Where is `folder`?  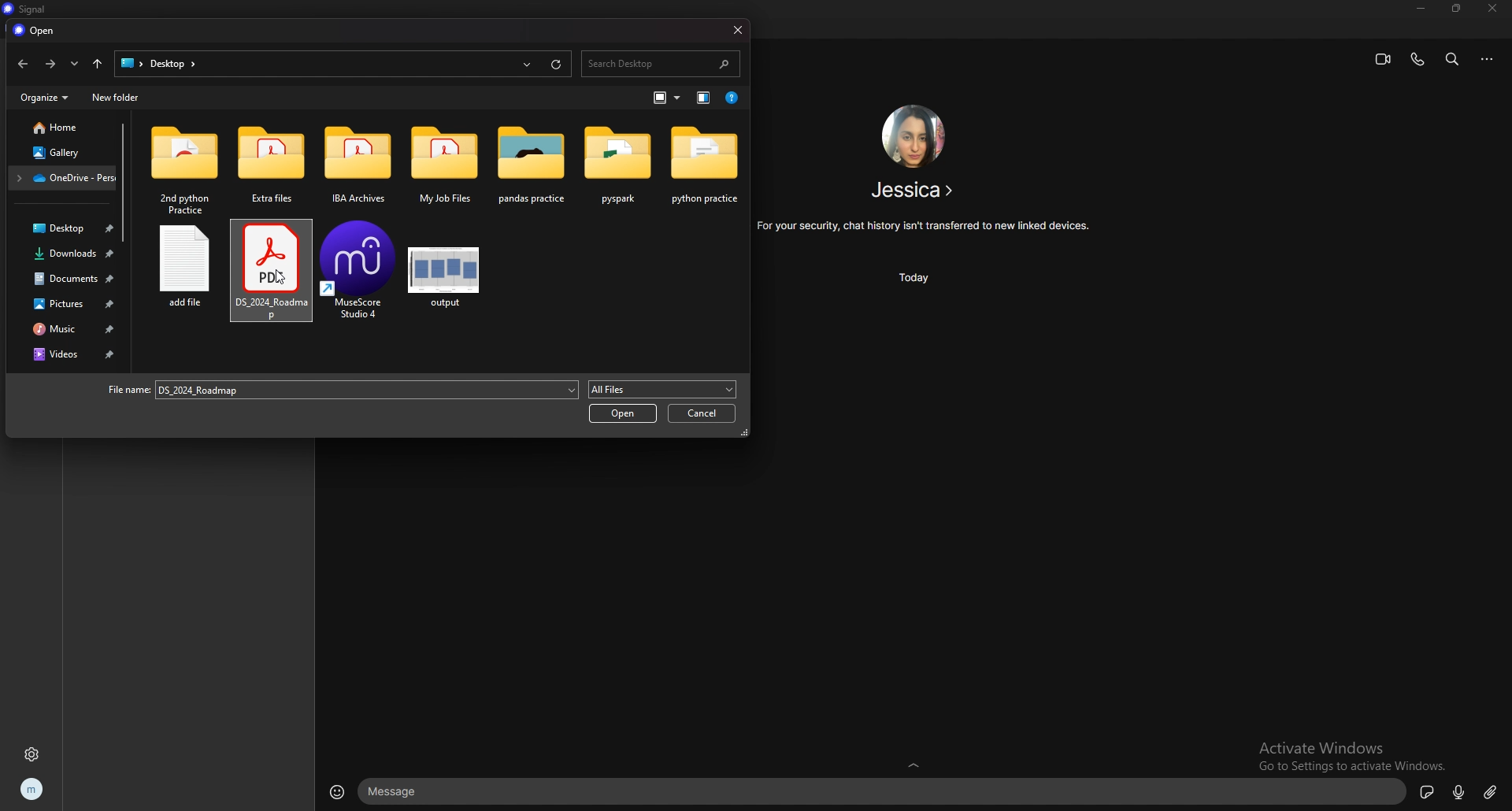 folder is located at coordinates (358, 167).